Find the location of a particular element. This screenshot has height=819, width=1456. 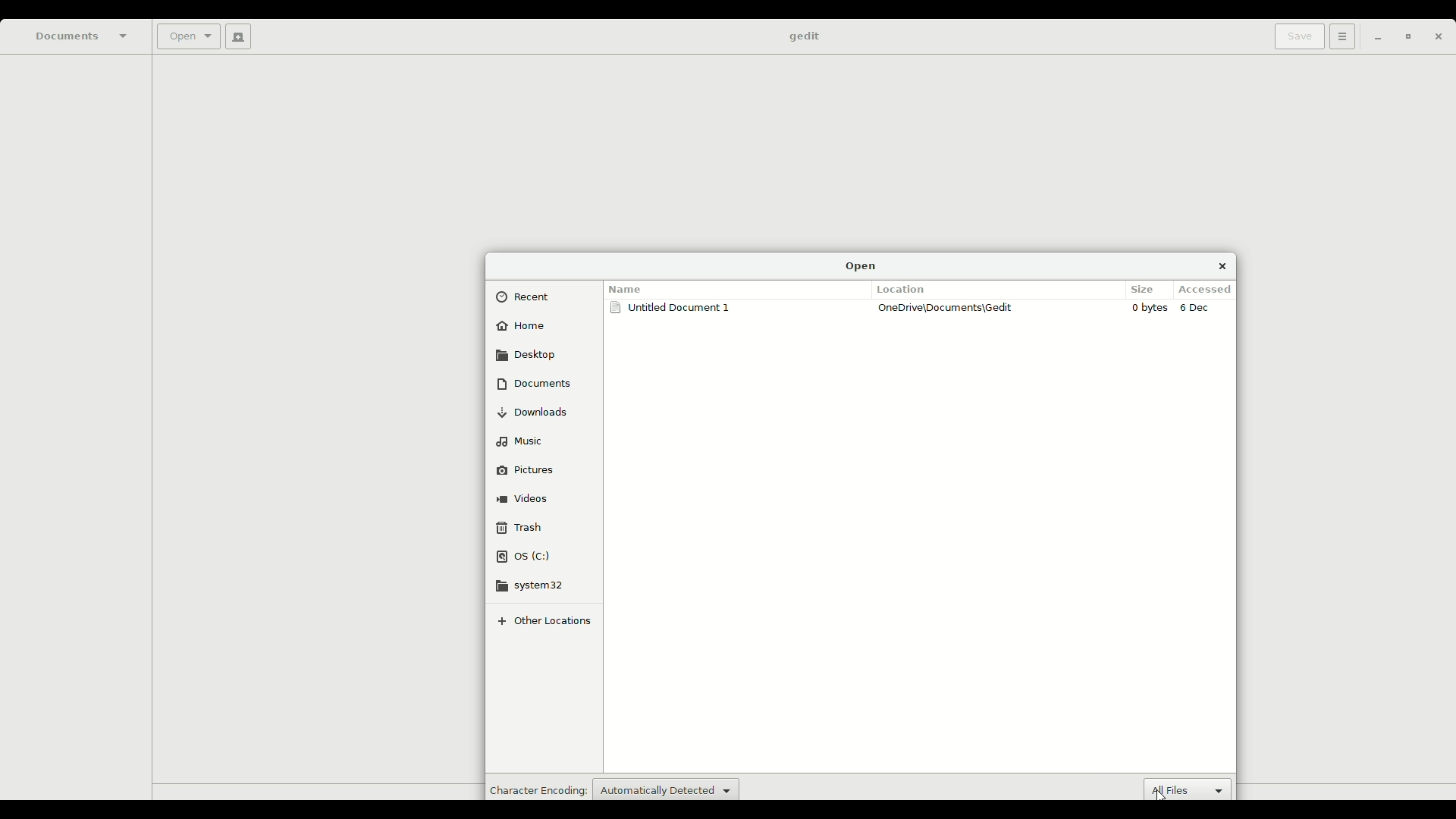

All files is located at coordinates (1191, 787).